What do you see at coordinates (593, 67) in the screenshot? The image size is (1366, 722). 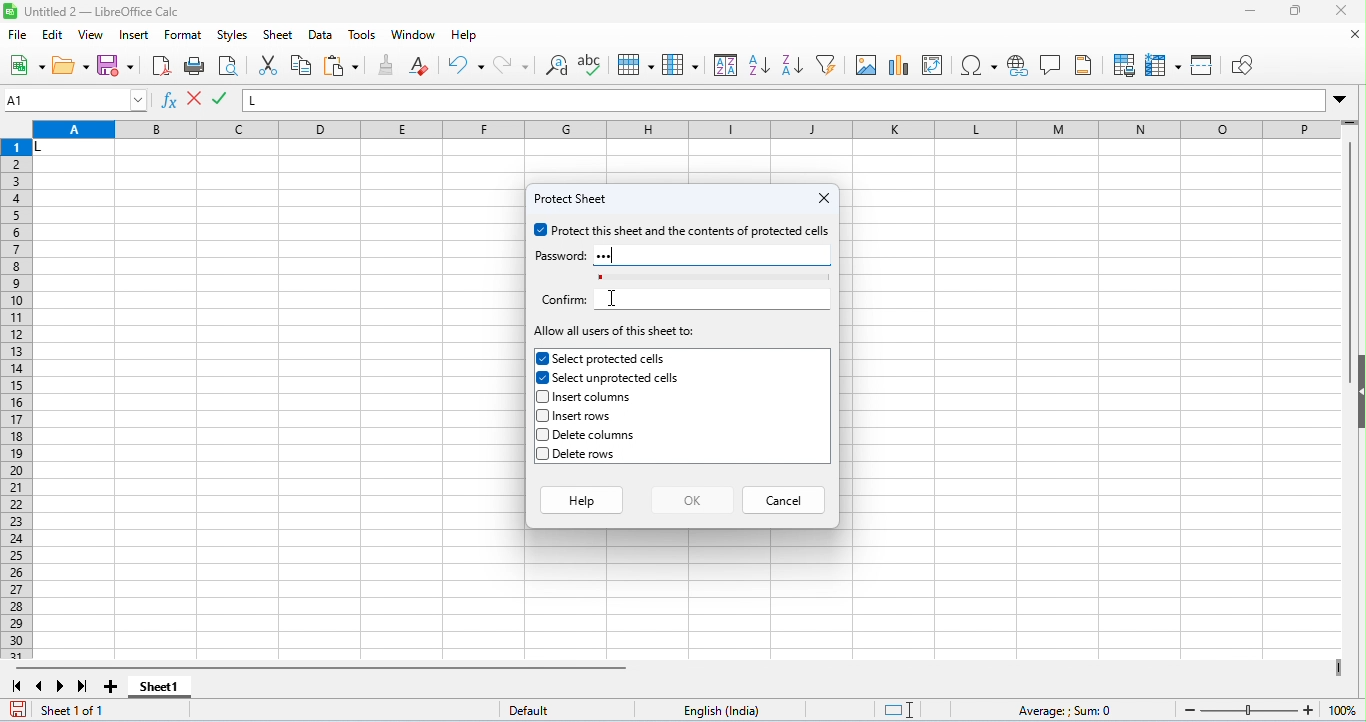 I see `spelling` at bounding box center [593, 67].